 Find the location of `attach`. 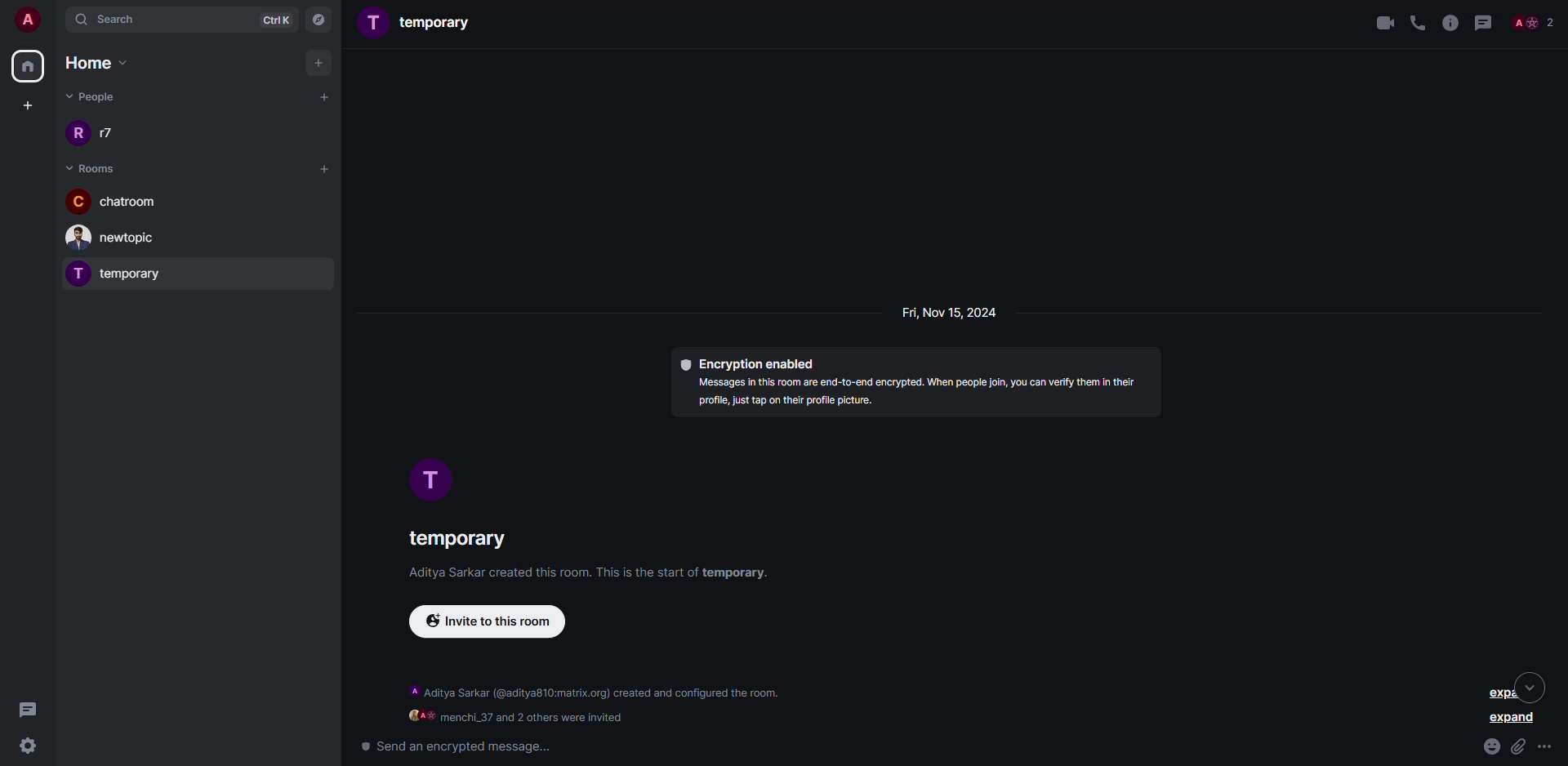

attach is located at coordinates (1519, 746).